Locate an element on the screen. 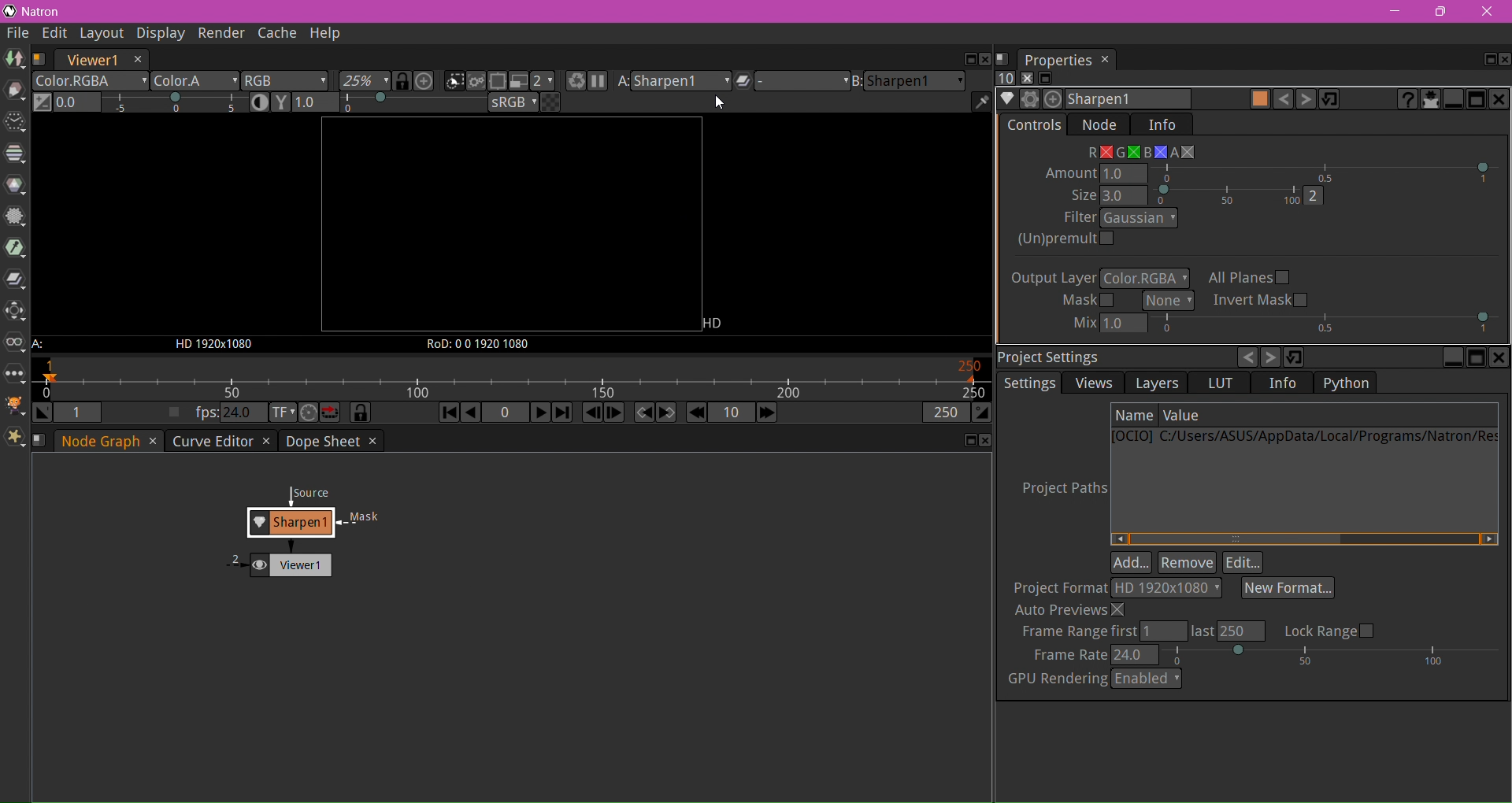  Properties is located at coordinates (1067, 59).